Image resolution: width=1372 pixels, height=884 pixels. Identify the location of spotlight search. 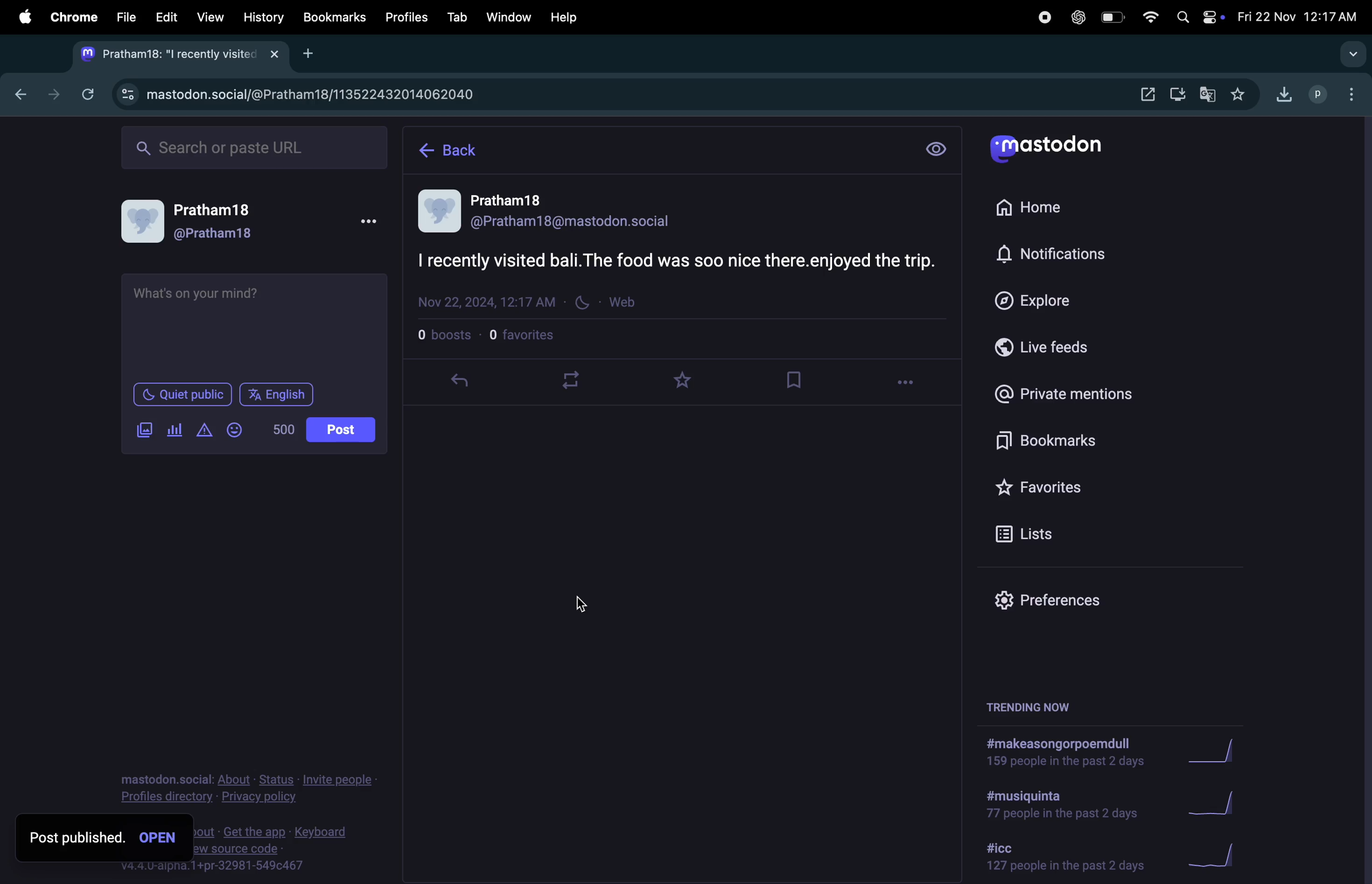
(1181, 20).